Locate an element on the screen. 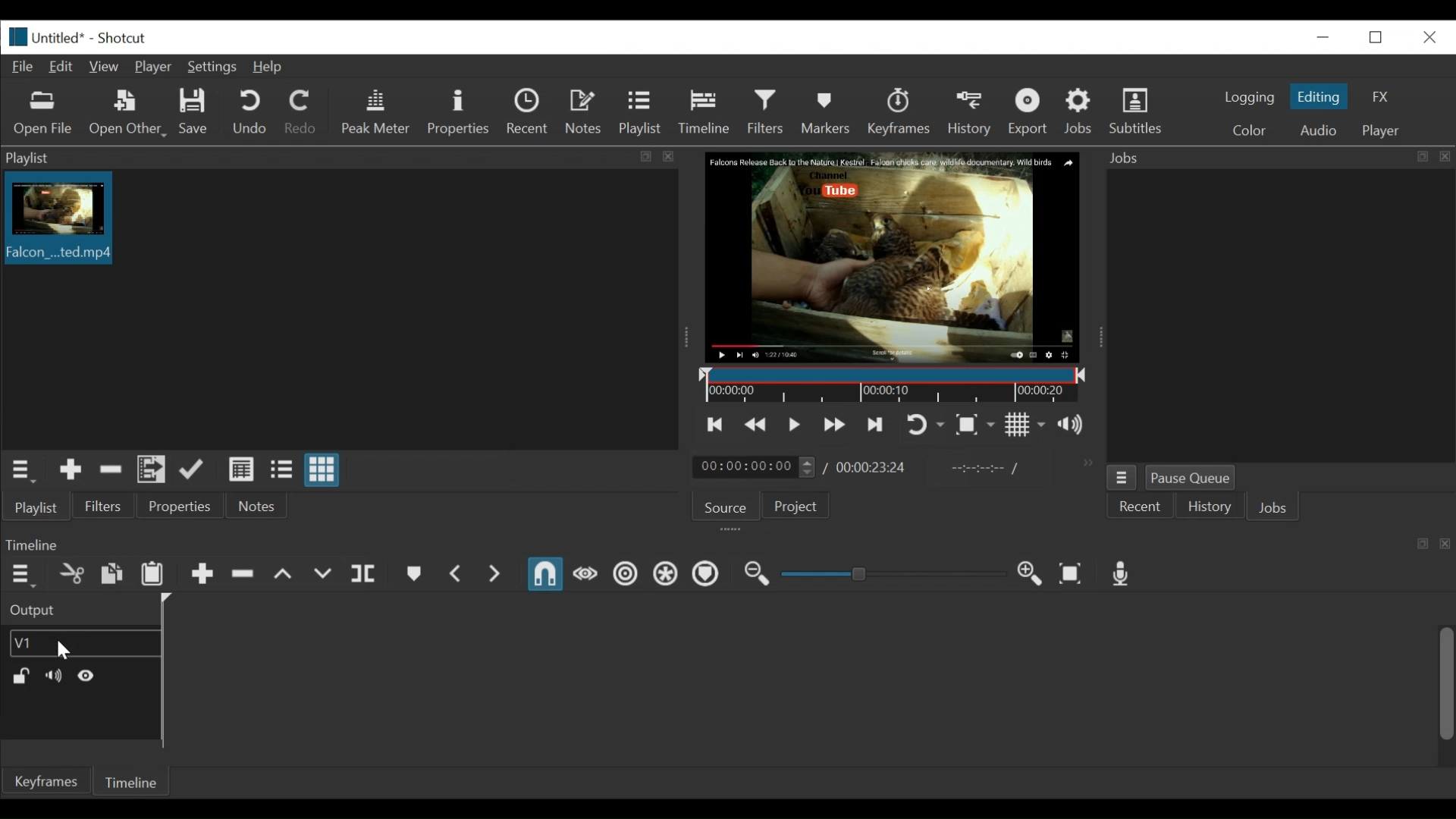  Toggle Zoom is located at coordinates (924, 424).